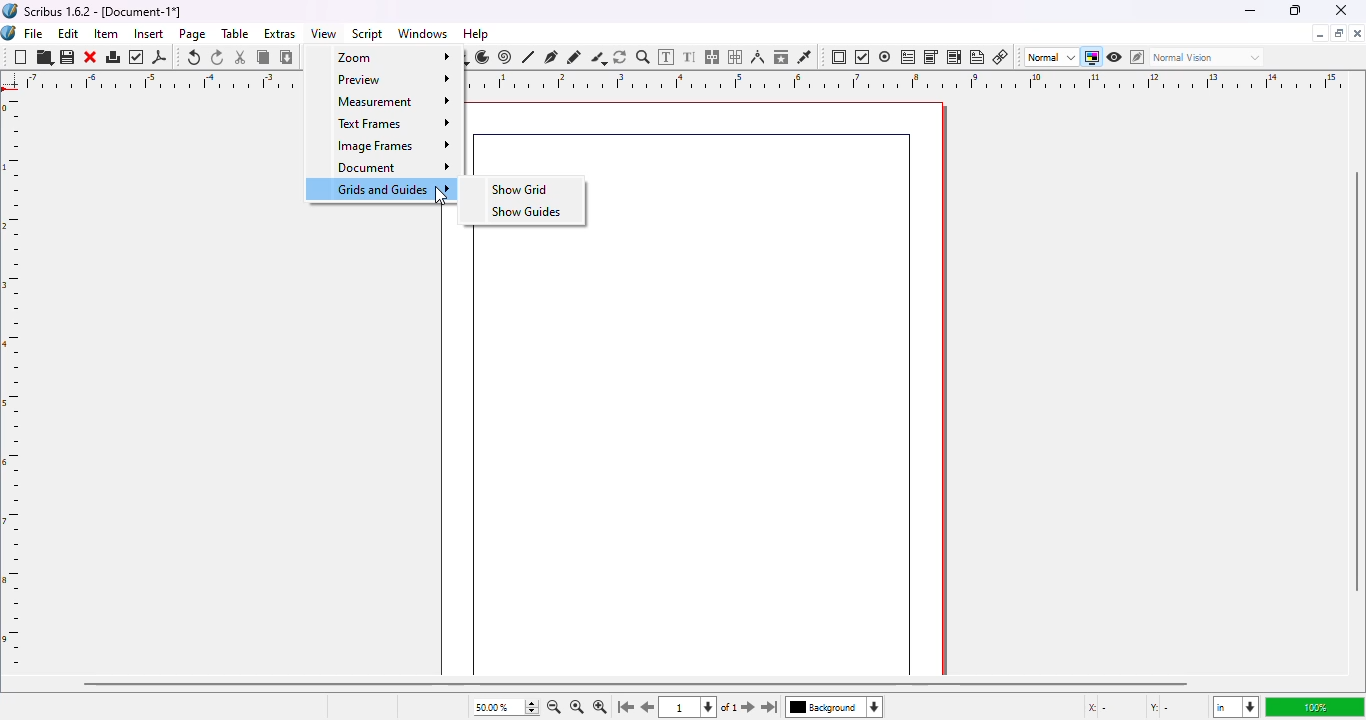 This screenshot has width=1366, height=720. I want to click on in, so click(1234, 708).